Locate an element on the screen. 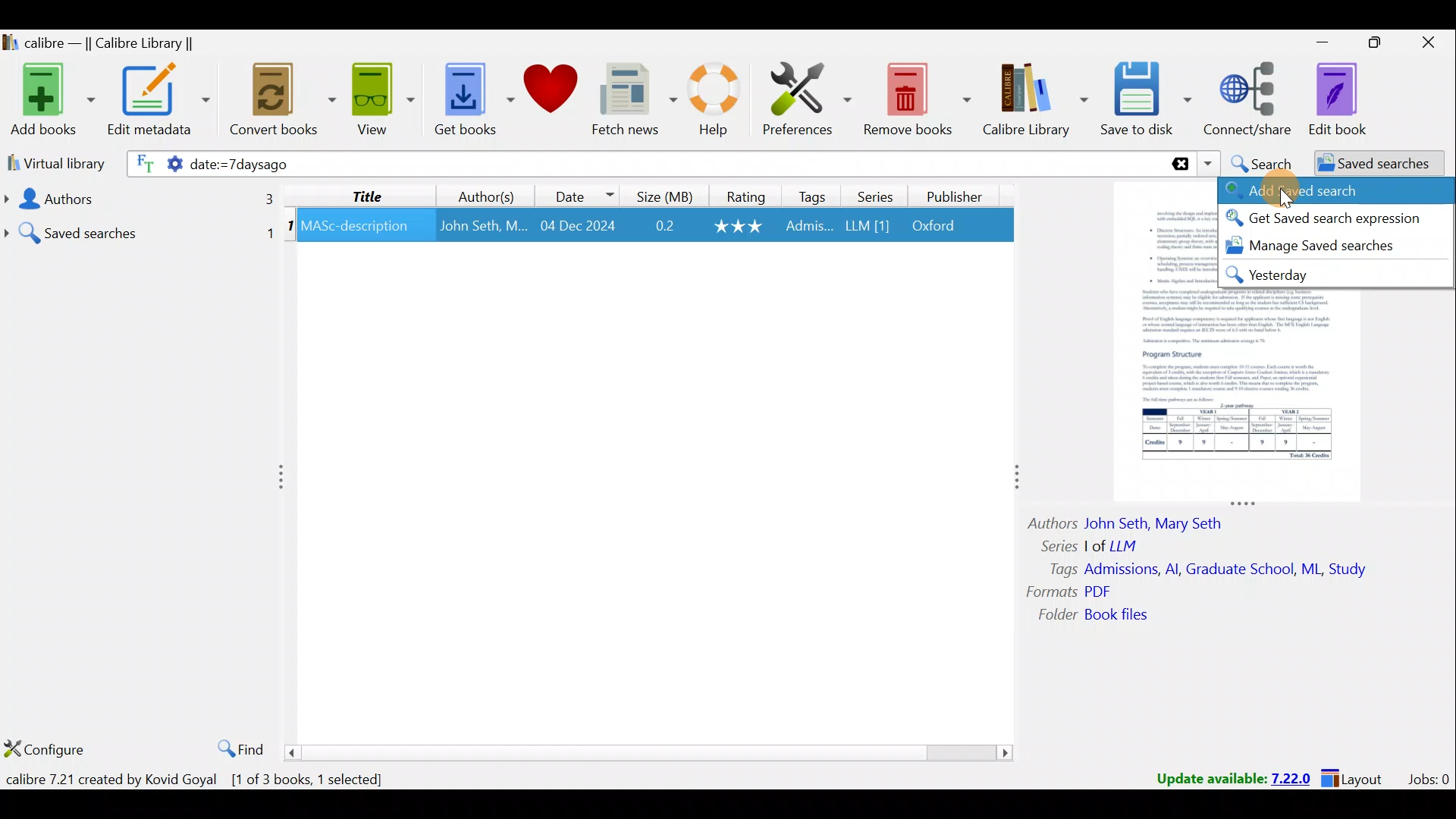 This screenshot has width=1456, height=819. date:=7daysago is located at coordinates (379, 165).